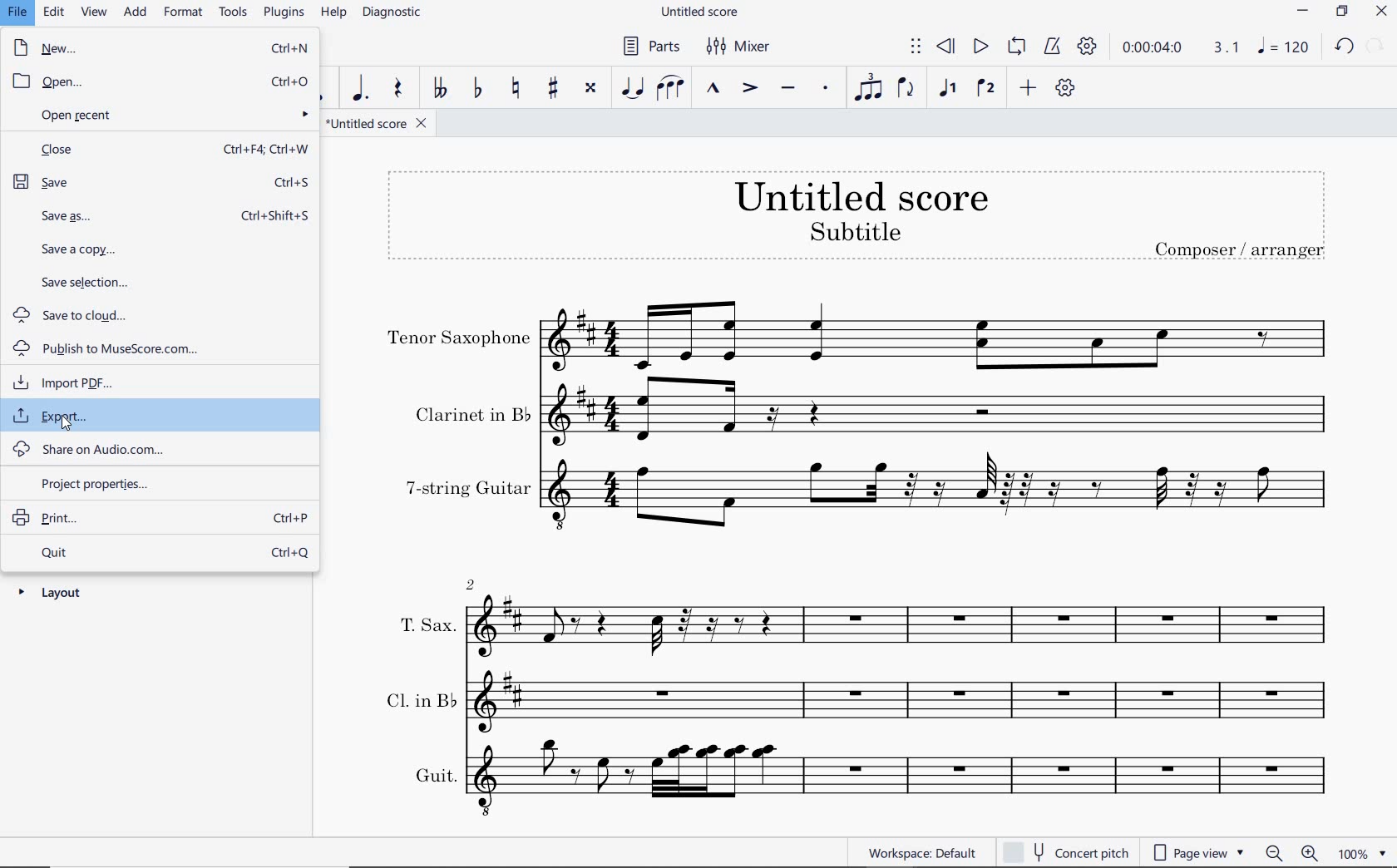 This screenshot has width=1397, height=868. Describe the element at coordinates (1064, 87) in the screenshot. I see `CUSTOMIZE TOOLBAR` at that location.